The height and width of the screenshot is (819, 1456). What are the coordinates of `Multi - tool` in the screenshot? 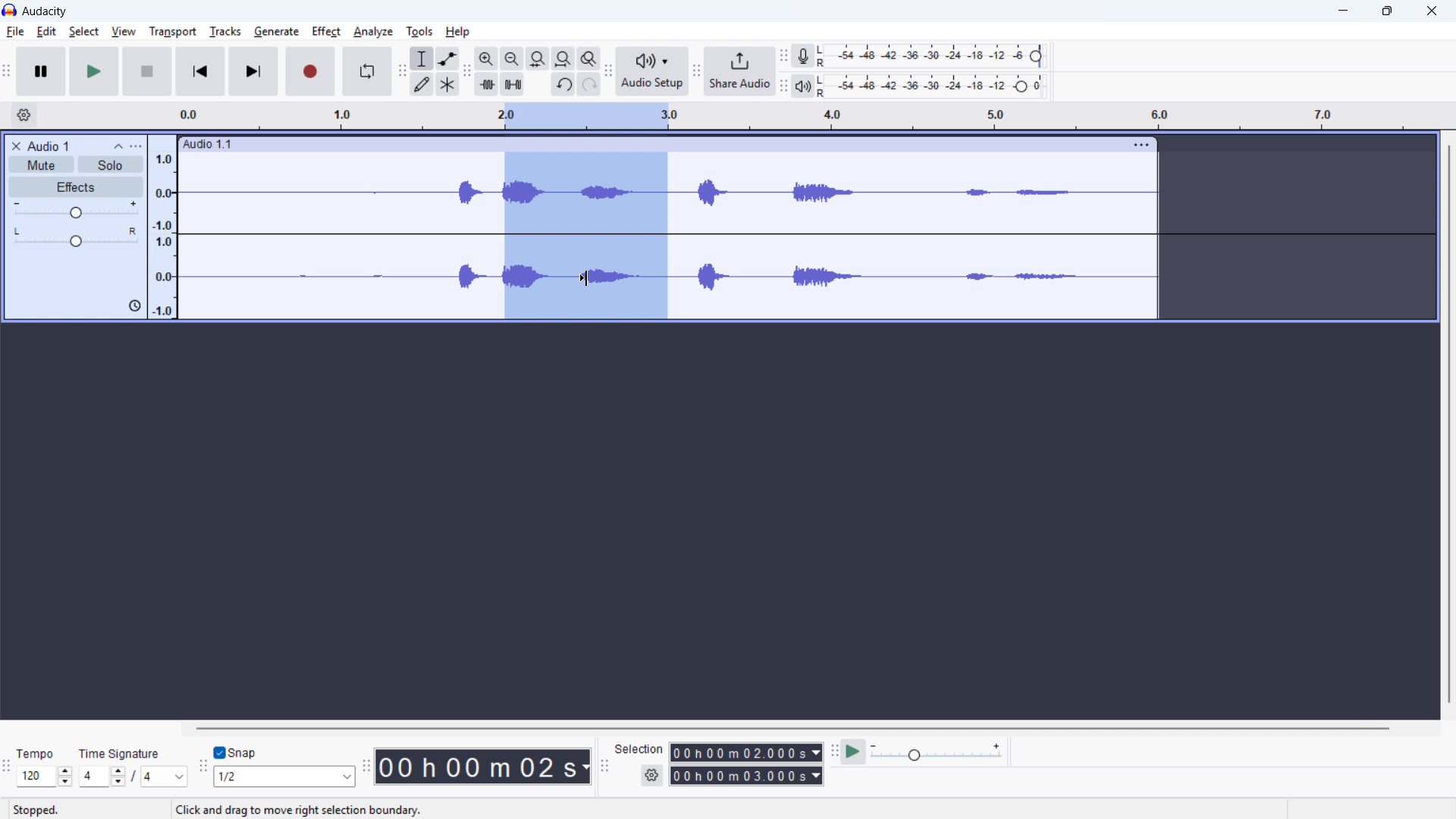 It's located at (447, 84).